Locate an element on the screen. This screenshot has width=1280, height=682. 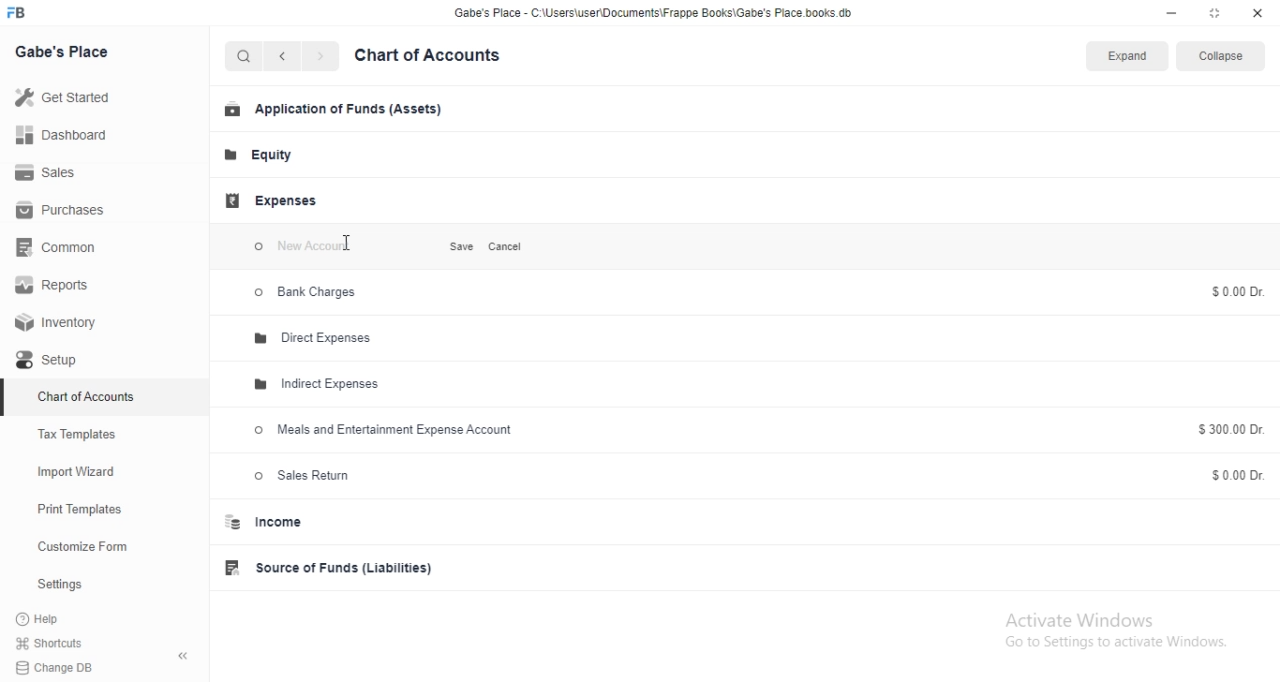
Expand is located at coordinates (1126, 58).